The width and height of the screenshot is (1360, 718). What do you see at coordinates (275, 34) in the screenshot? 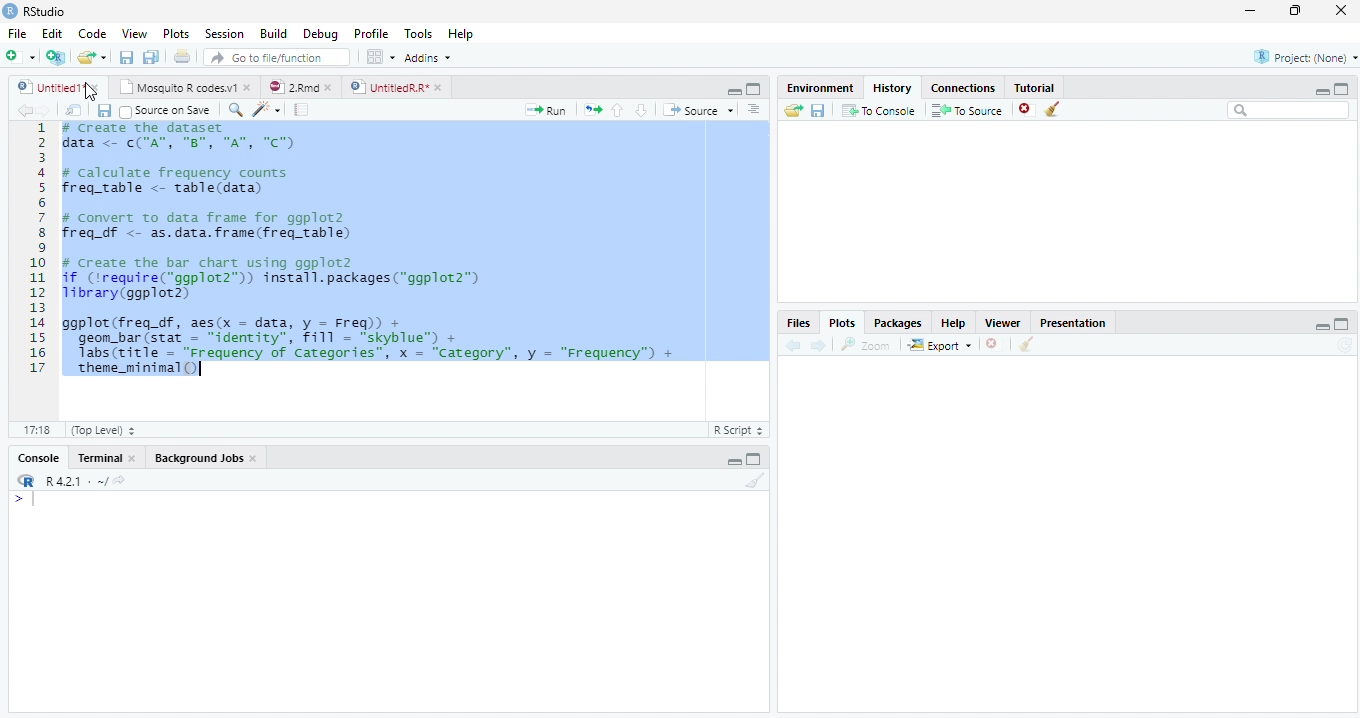
I see `Build` at bounding box center [275, 34].